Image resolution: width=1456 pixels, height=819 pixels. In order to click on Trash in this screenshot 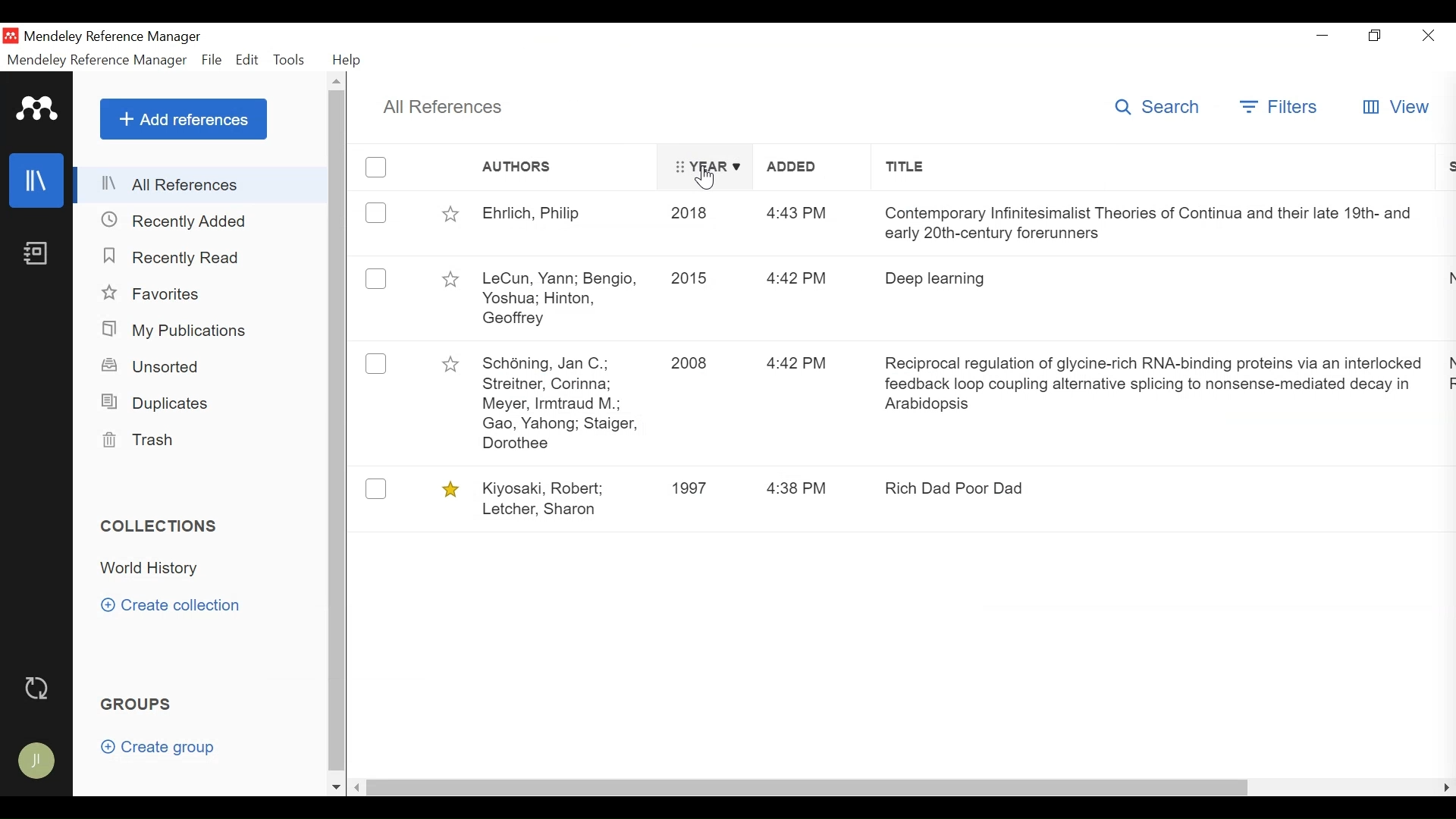, I will do `click(146, 440)`.